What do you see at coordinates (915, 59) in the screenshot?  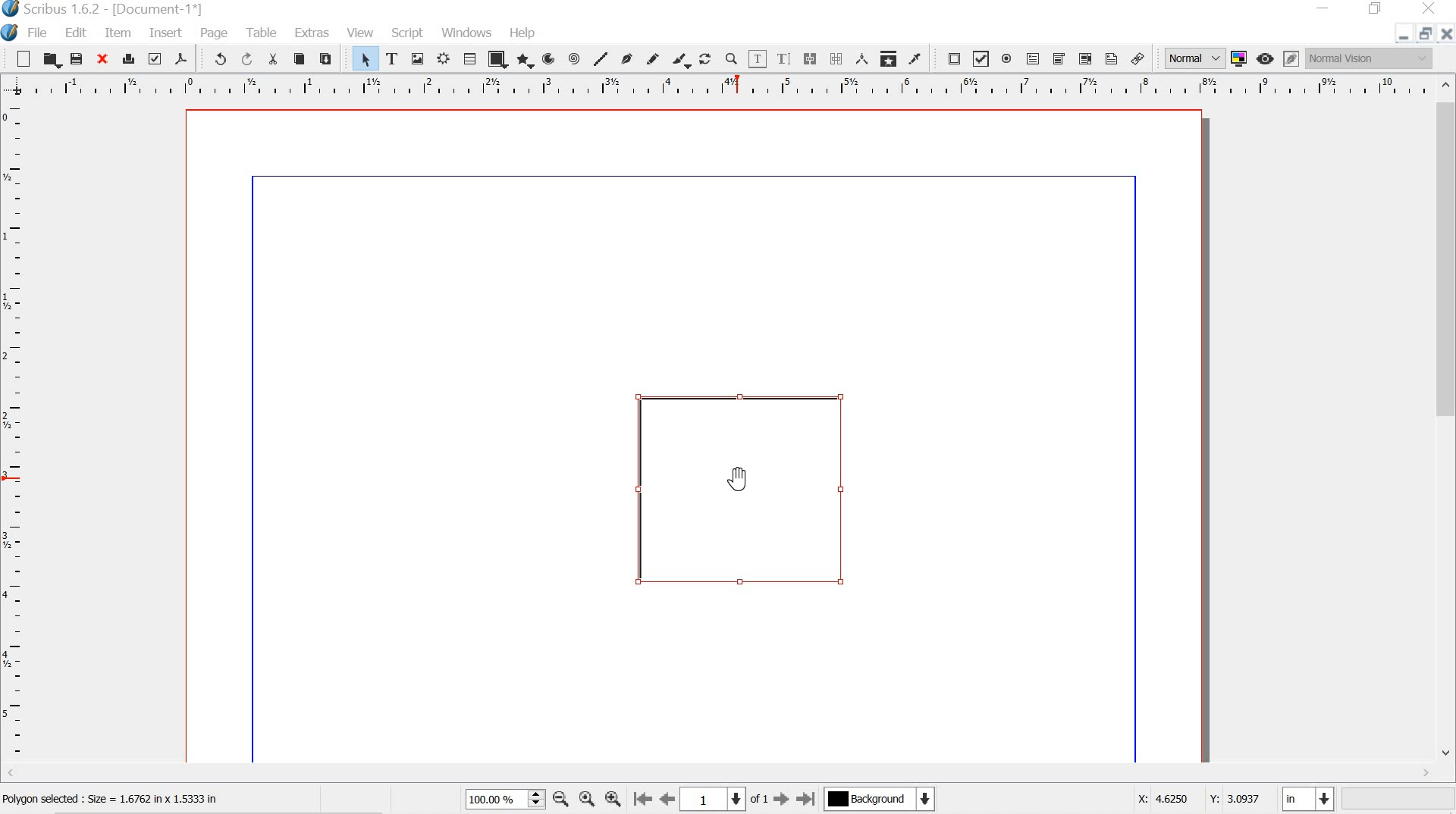 I see `eye dropper` at bounding box center [915, 59].